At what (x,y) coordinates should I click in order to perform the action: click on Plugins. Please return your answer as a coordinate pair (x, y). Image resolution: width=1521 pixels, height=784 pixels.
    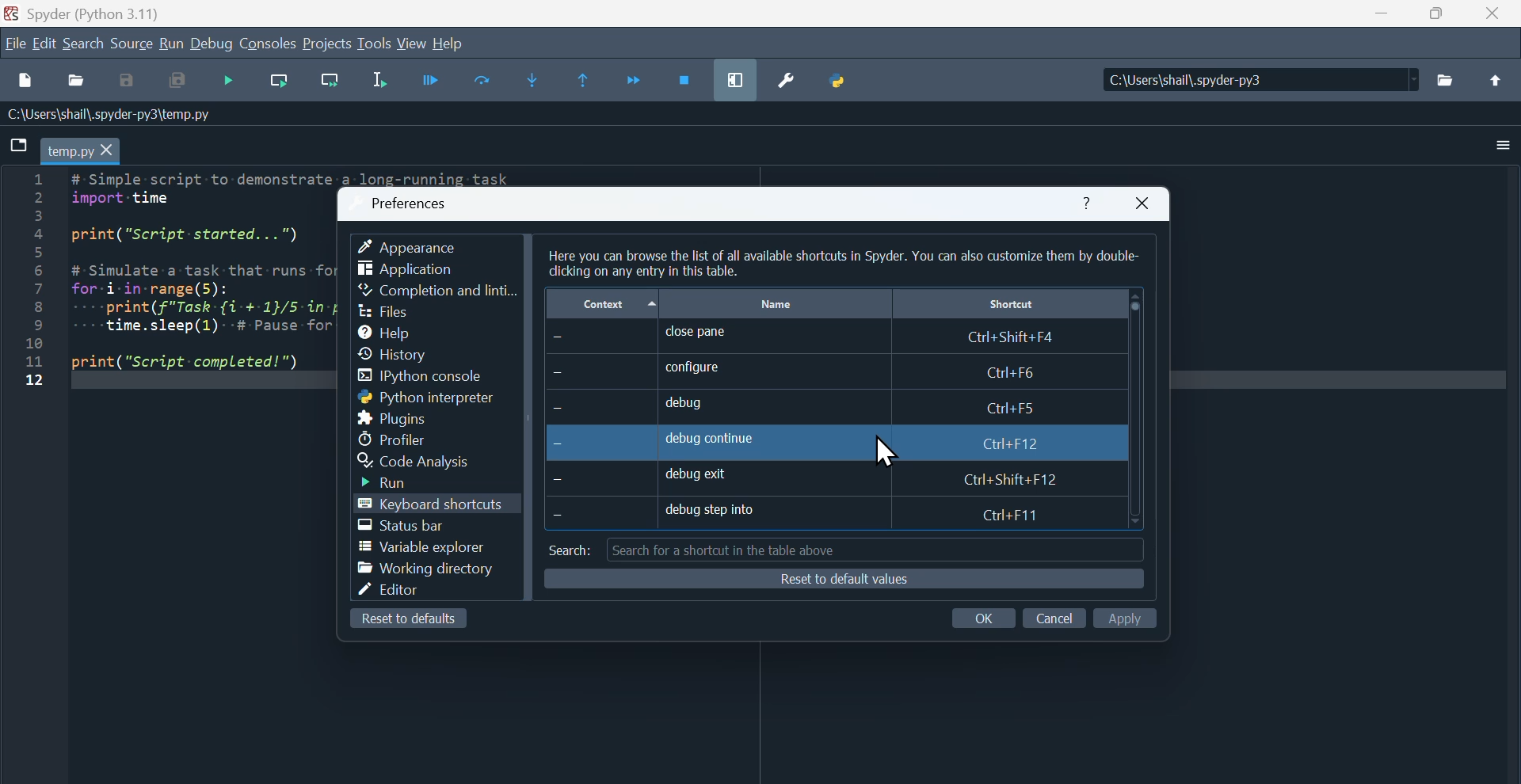
    Looking at the image, I should click on (401, 417).